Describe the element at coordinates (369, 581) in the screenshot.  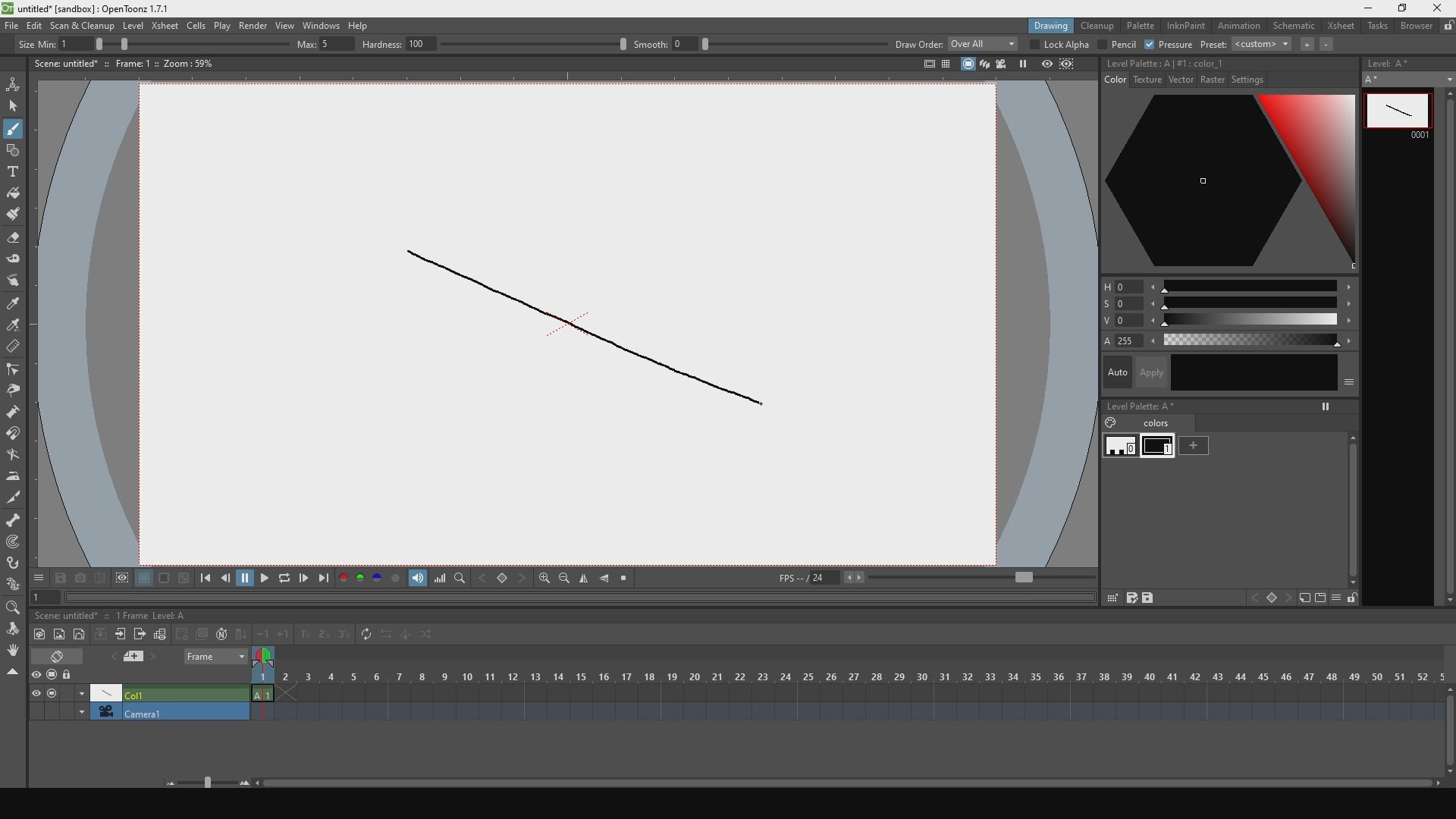
I see `palette colors` at that location.